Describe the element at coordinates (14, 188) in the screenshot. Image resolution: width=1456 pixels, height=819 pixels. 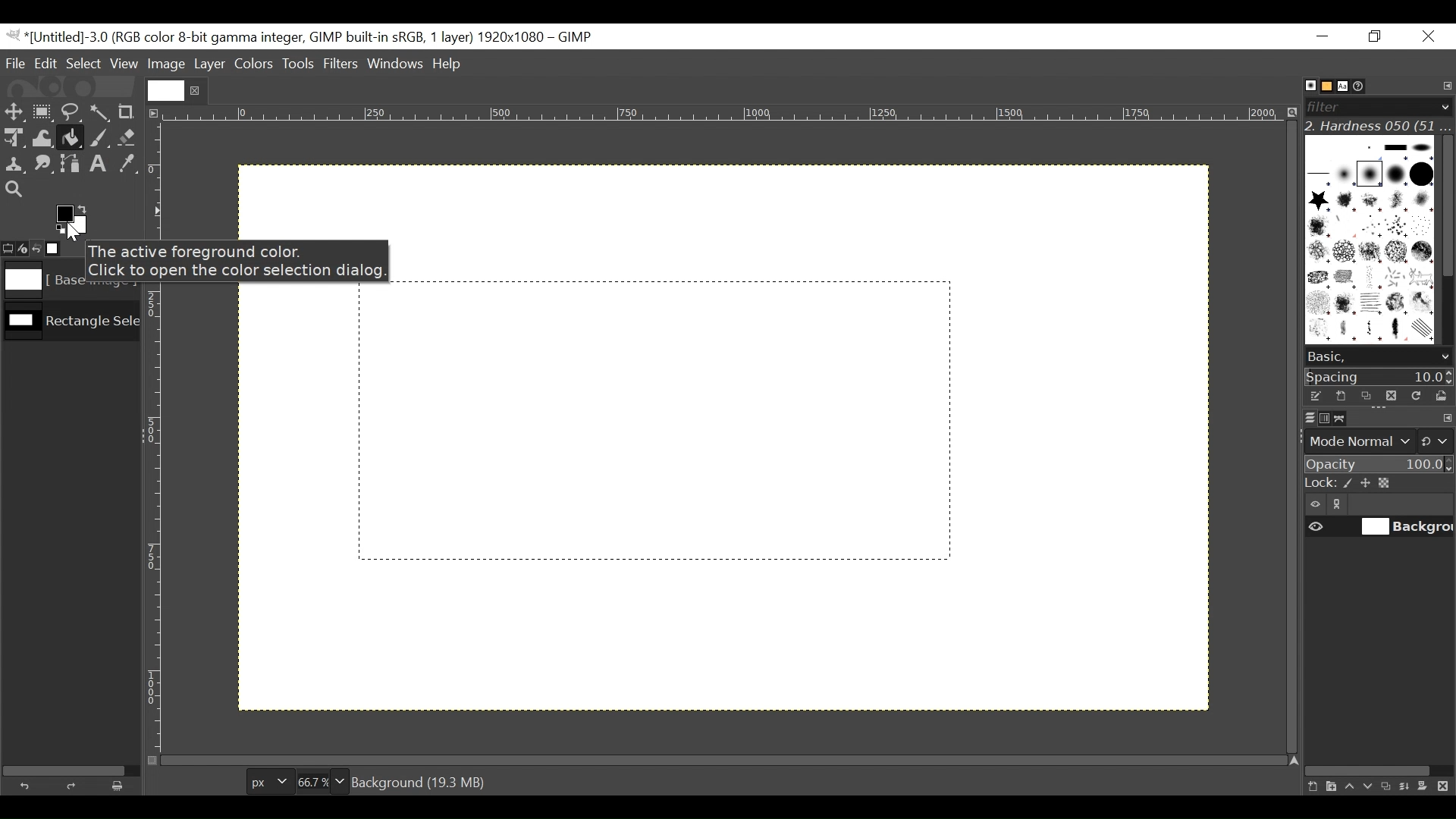
I see `Zoom tool` at that location.